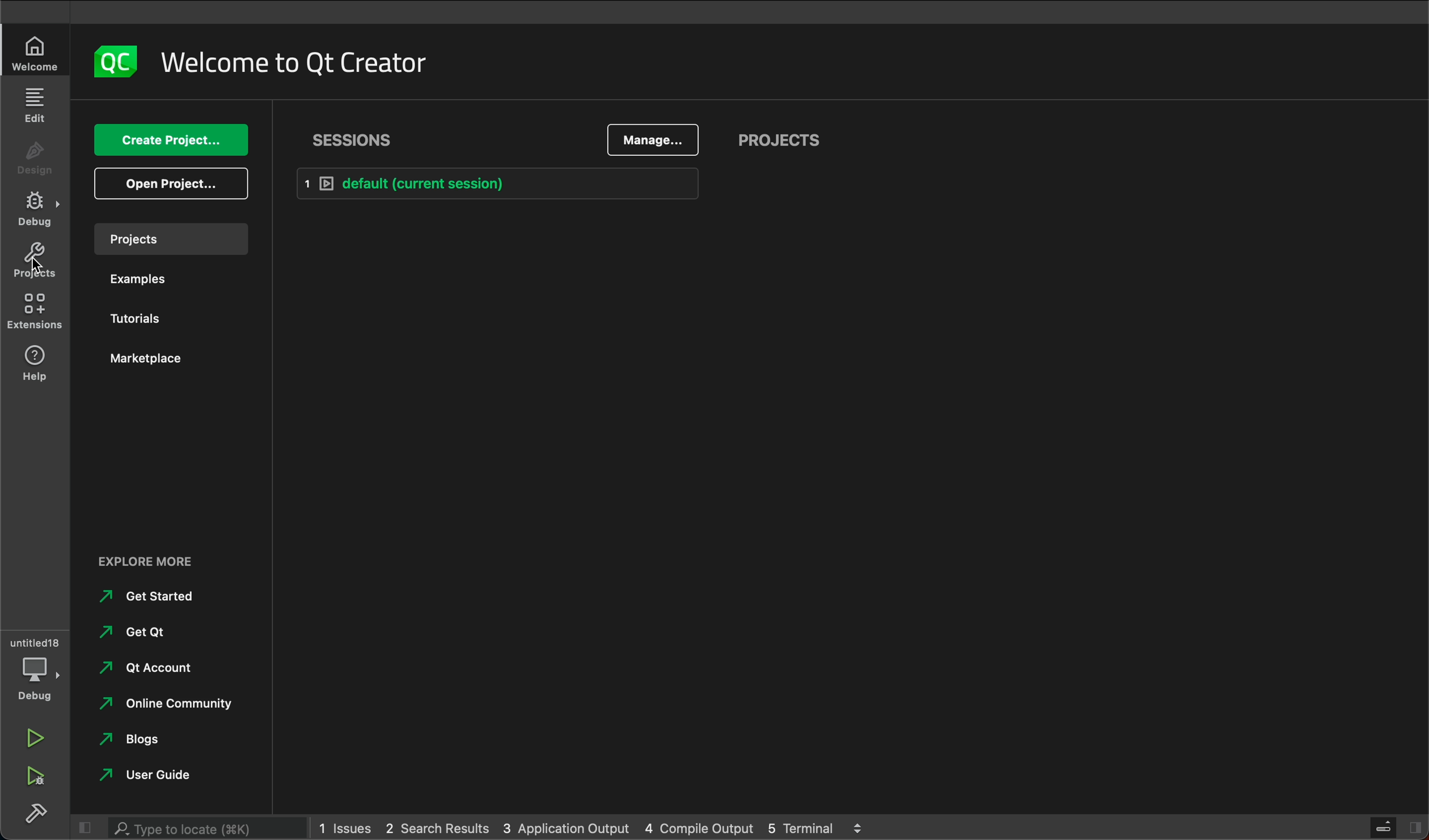 This screenshot has height=840, width=1429. I want to click on search bar, so click(193, 828).